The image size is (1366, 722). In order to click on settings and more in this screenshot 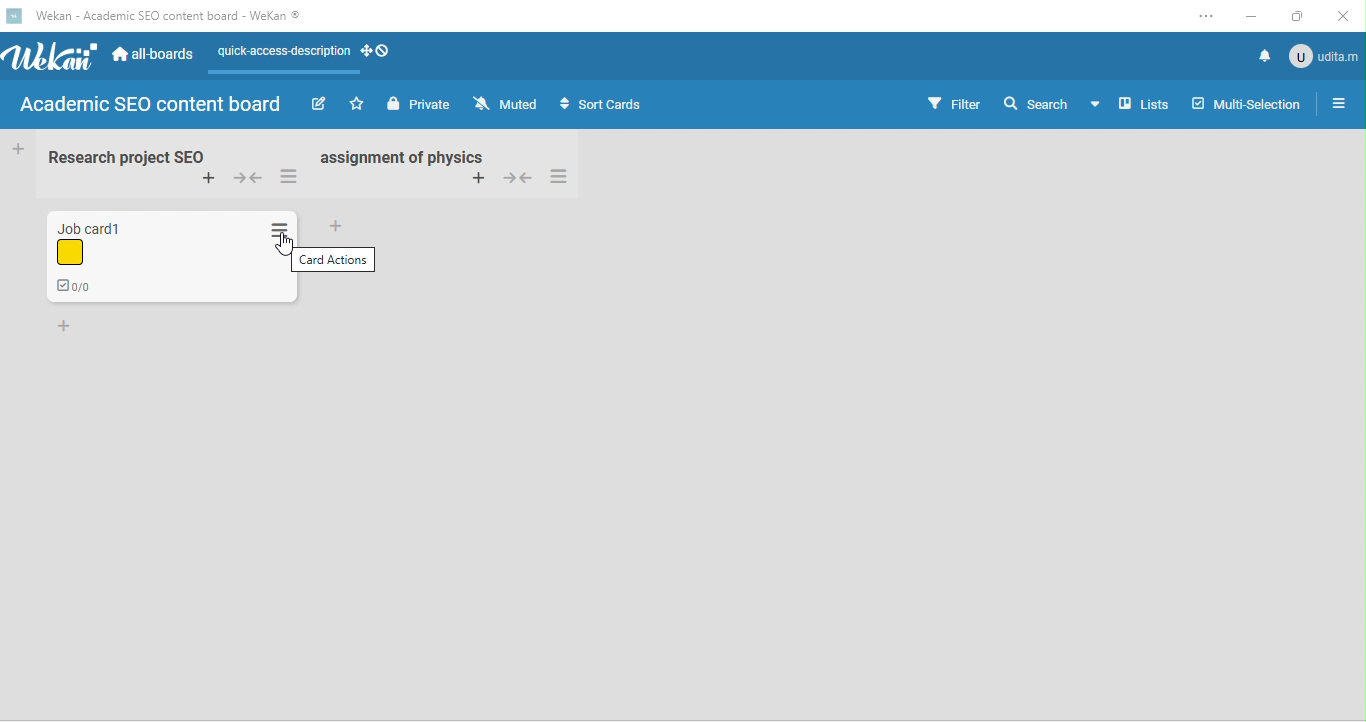, I will do `click(1205, 16)`.